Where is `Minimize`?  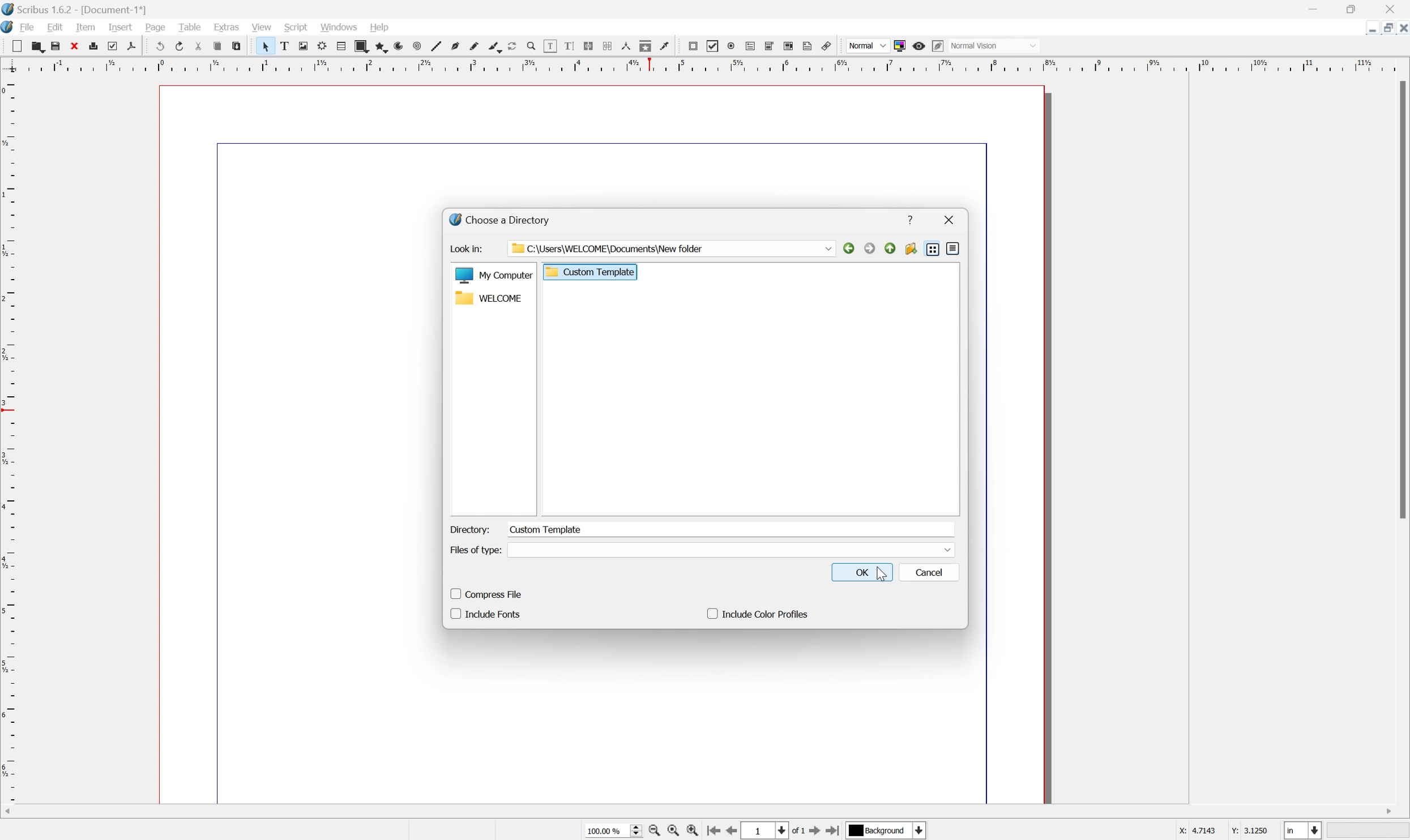
Minimize is located at coordinates (1315, 10).